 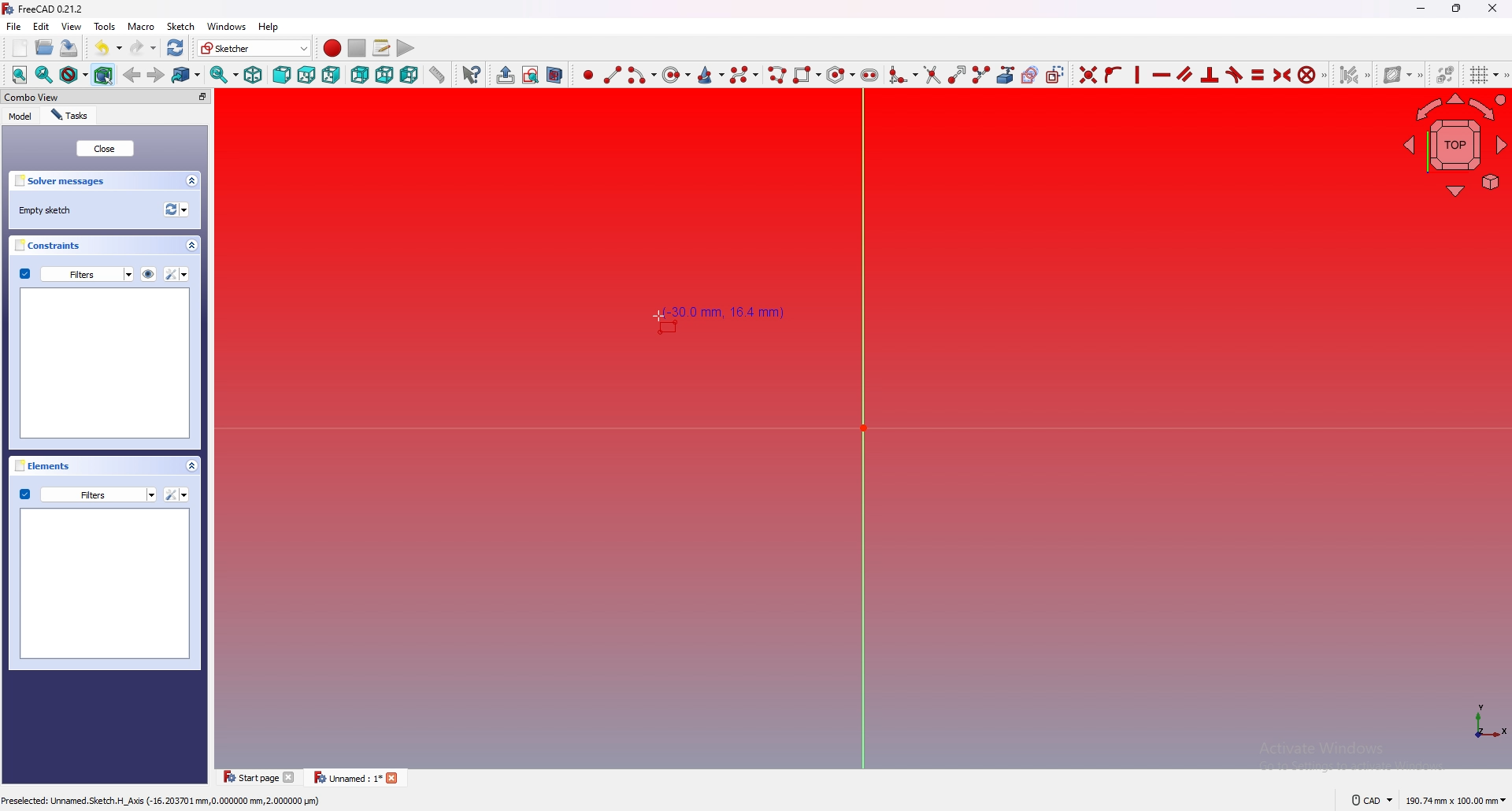 I want to click on show B spline info, so click(x=1399, y=75).